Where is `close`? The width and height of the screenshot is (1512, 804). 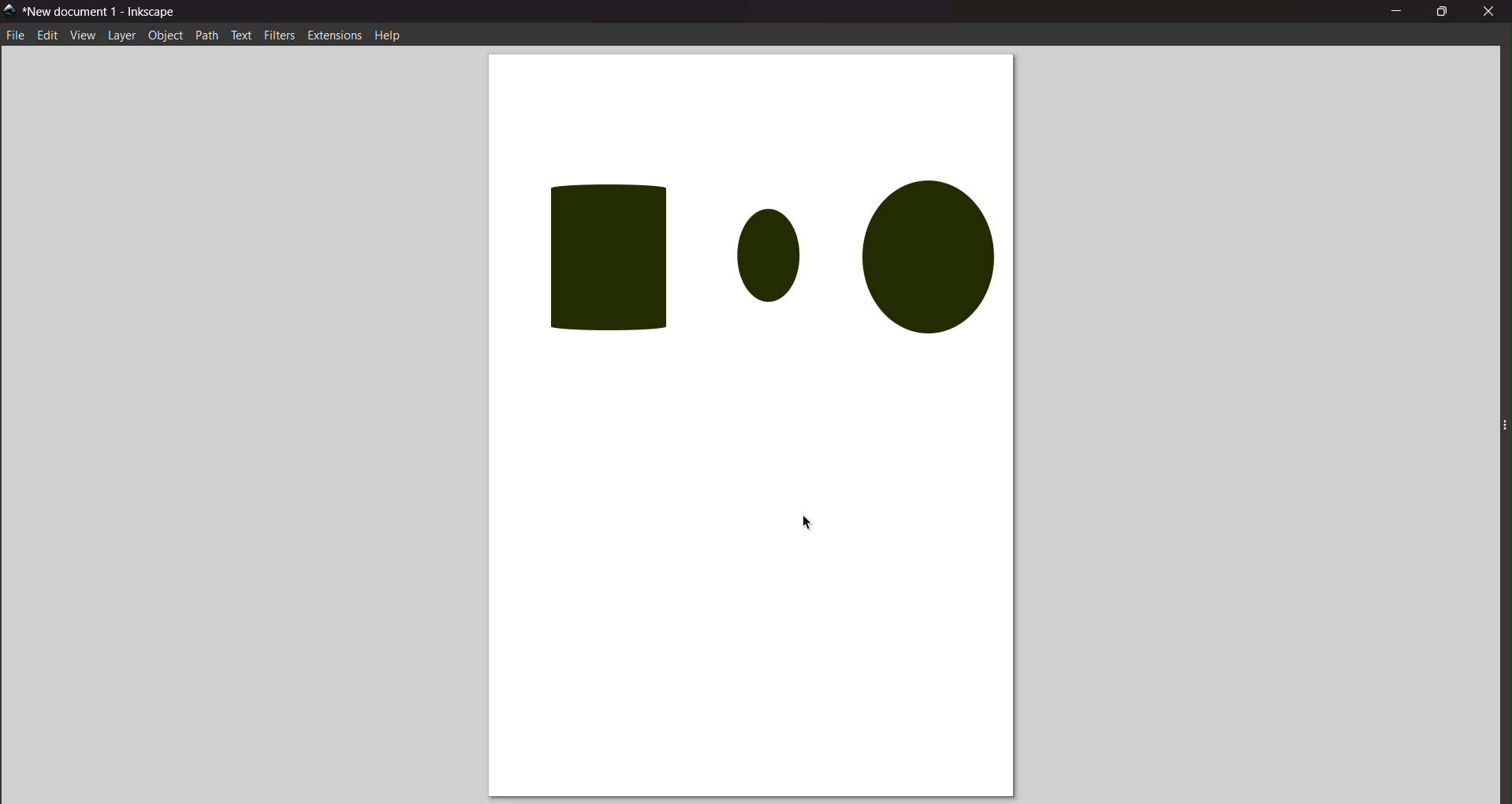 close is located at coordinates (1488, 13).